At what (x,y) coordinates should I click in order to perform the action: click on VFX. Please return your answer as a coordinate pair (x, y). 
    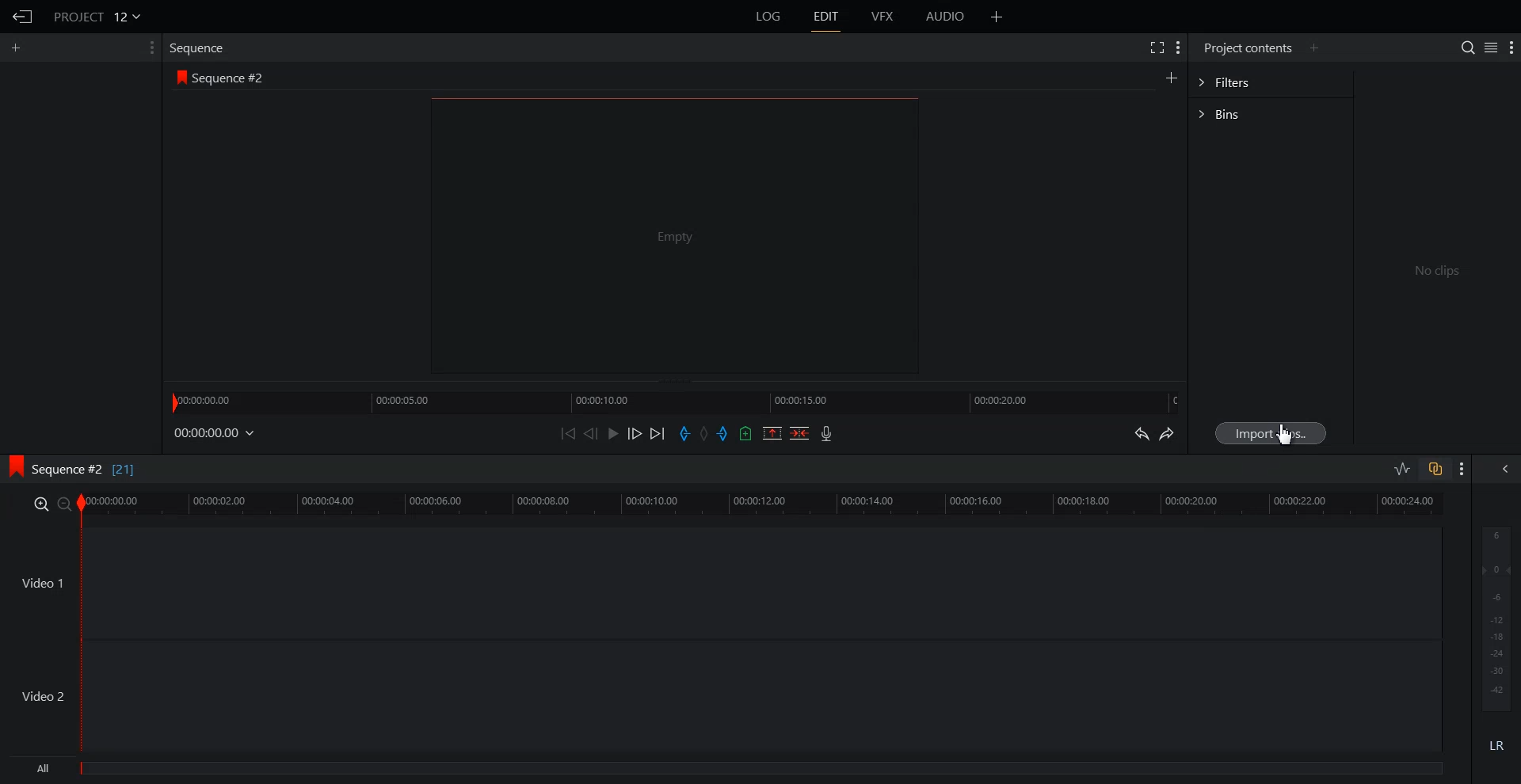
    Looking at the image, I should click on (883, 17).